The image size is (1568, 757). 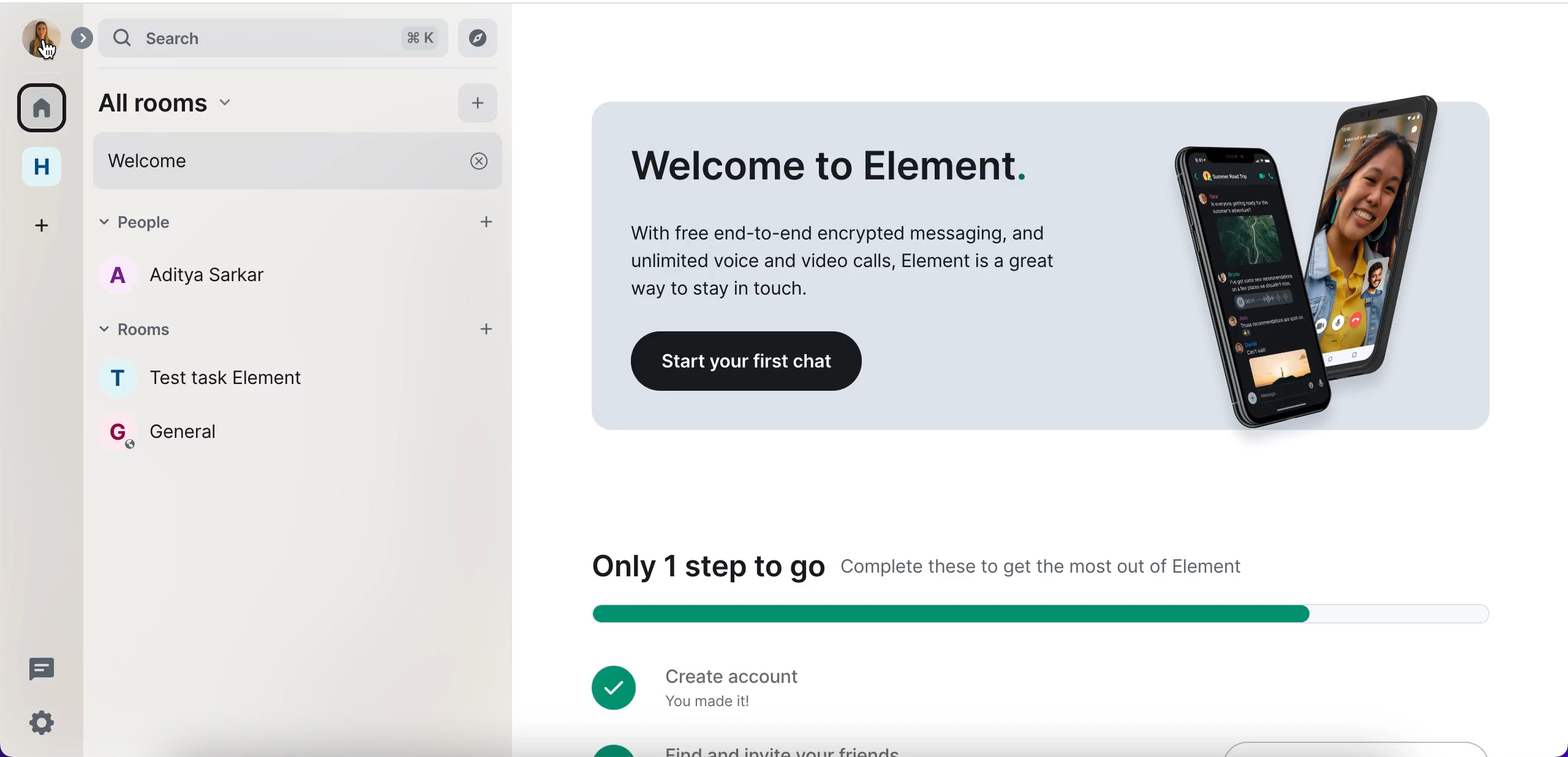 What do you see at coordinates (1045, 614) in the screenshot?
I see `Step counter` at bounding box center [1045, 614].